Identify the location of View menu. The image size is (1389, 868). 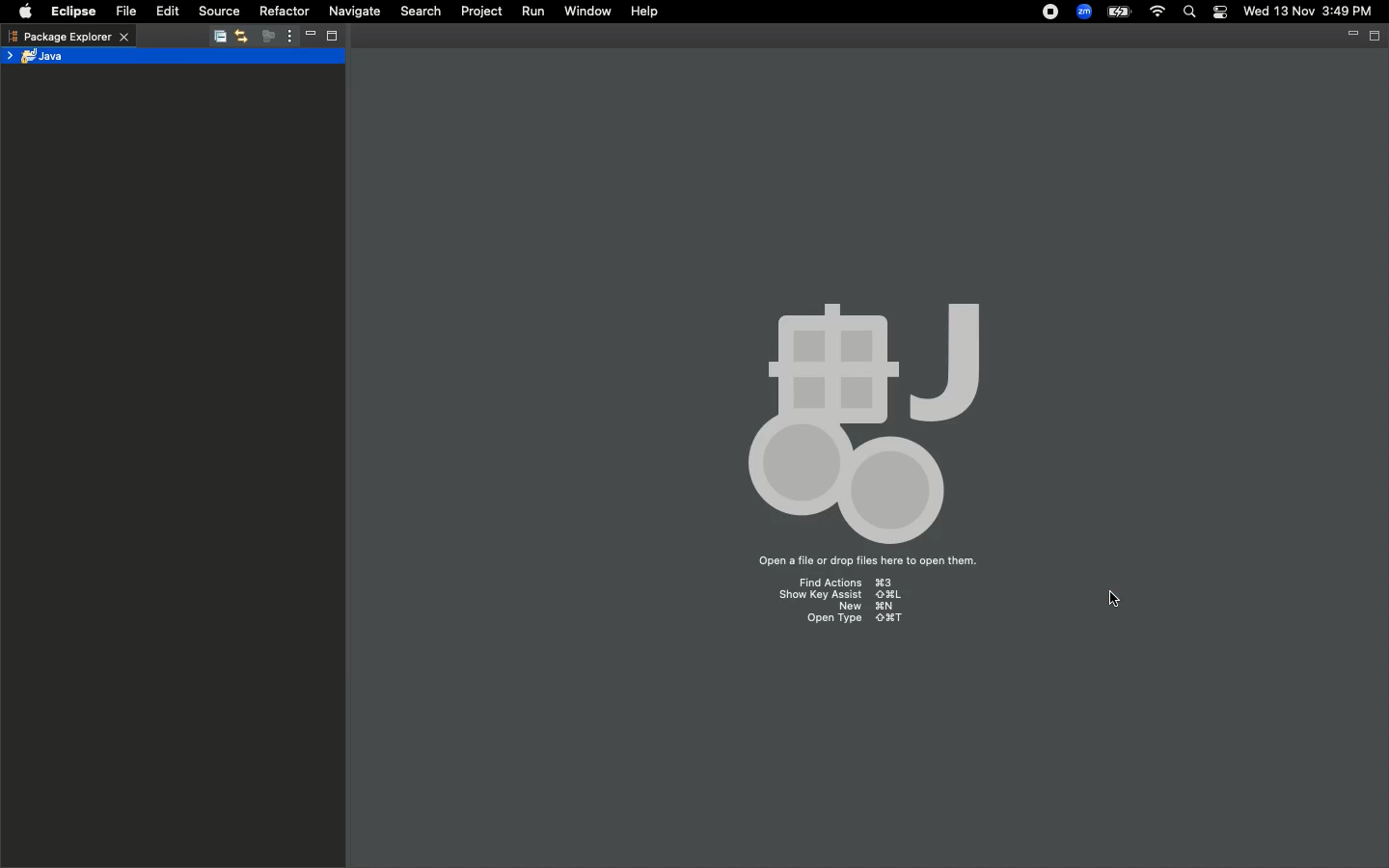
(287, 37).